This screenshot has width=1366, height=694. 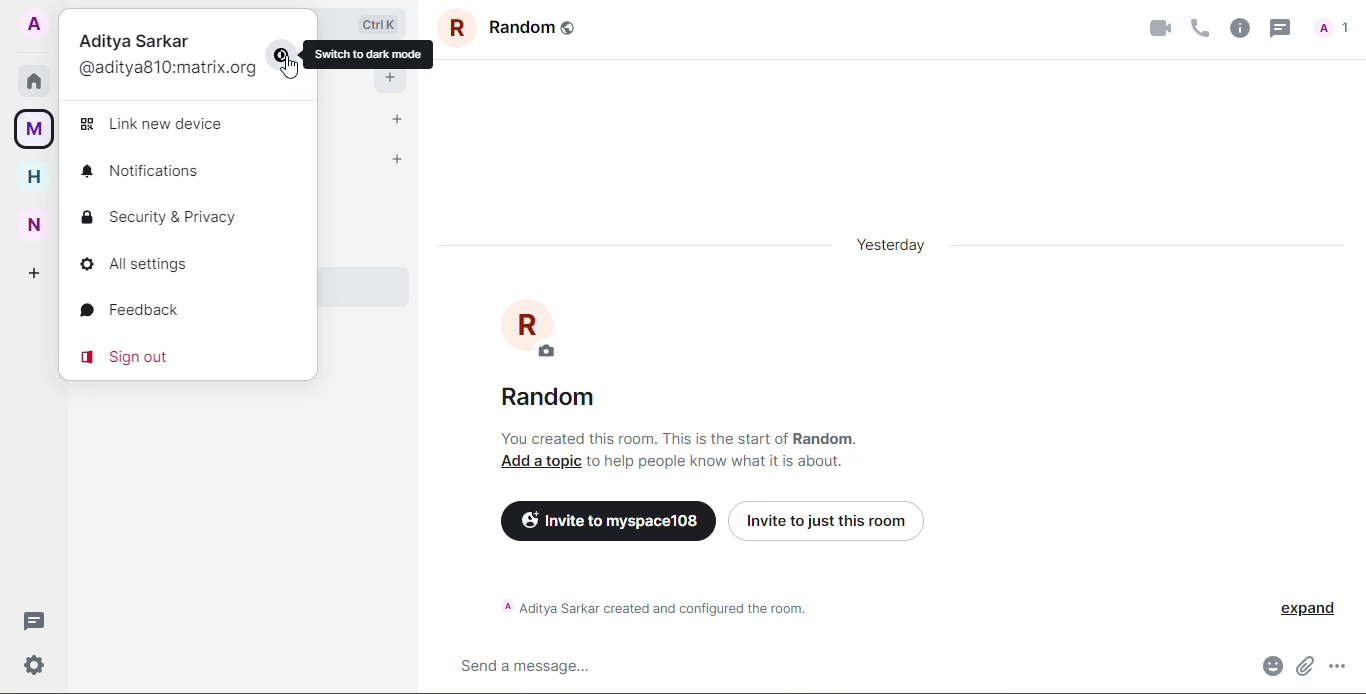 What do you see at coordinates (34, 665) in the screenshot?
I see `settigs` at bounding box center [34, 665].